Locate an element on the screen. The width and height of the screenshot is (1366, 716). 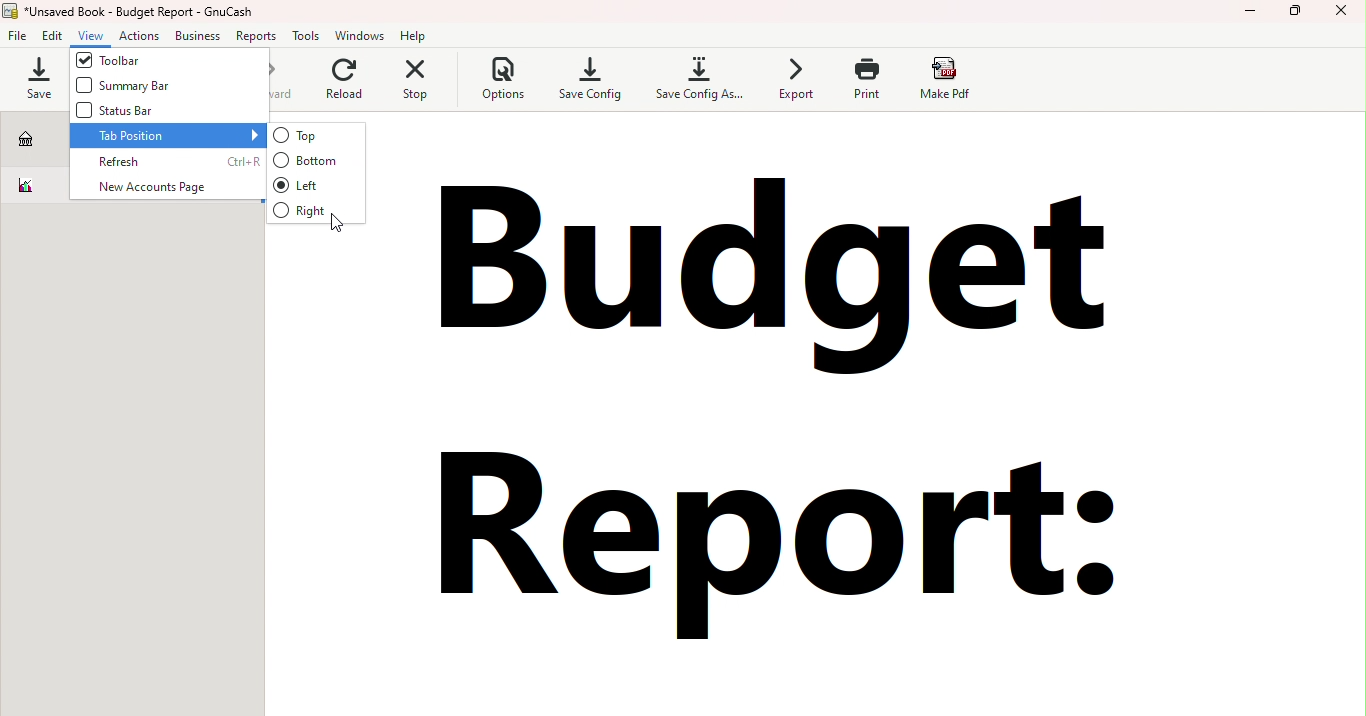
Make pdf is located at coordinates (946, 79).